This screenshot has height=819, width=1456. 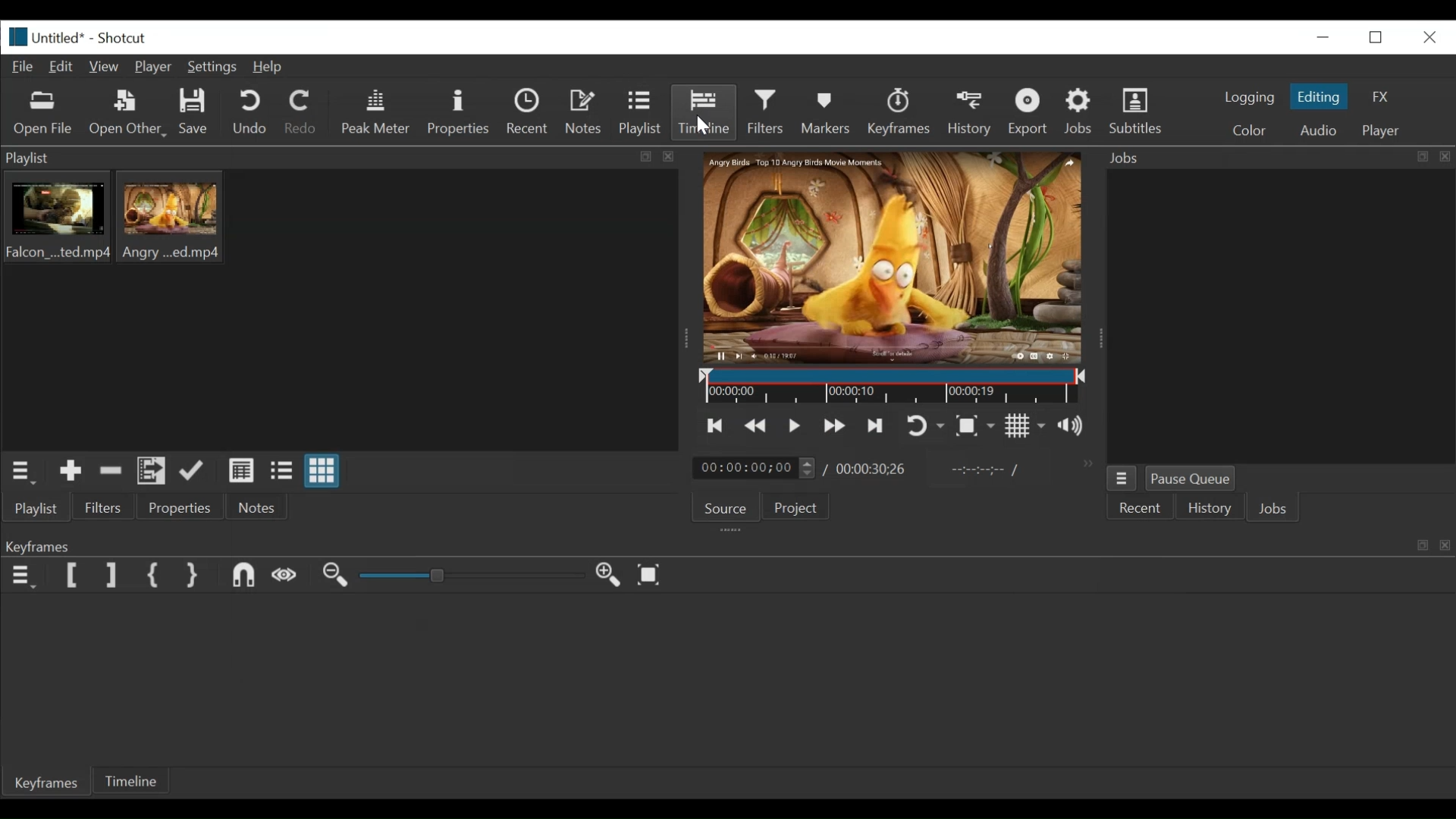 What do you see at coordinates (247, 579) in the screenshot?
I see `Snap` at bounding box center [247, 579].